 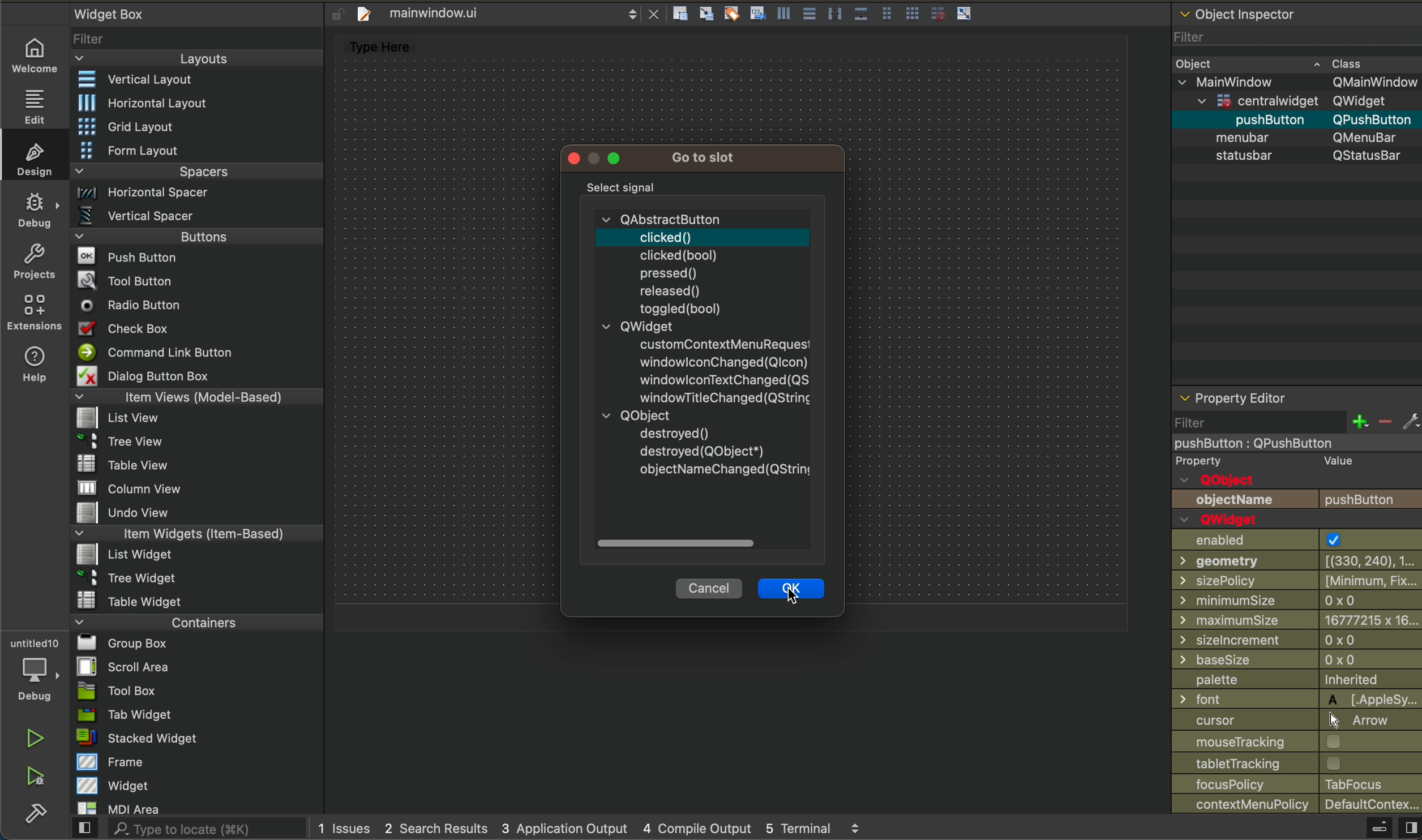 I want to click on push button, so click(x=197, y=258).